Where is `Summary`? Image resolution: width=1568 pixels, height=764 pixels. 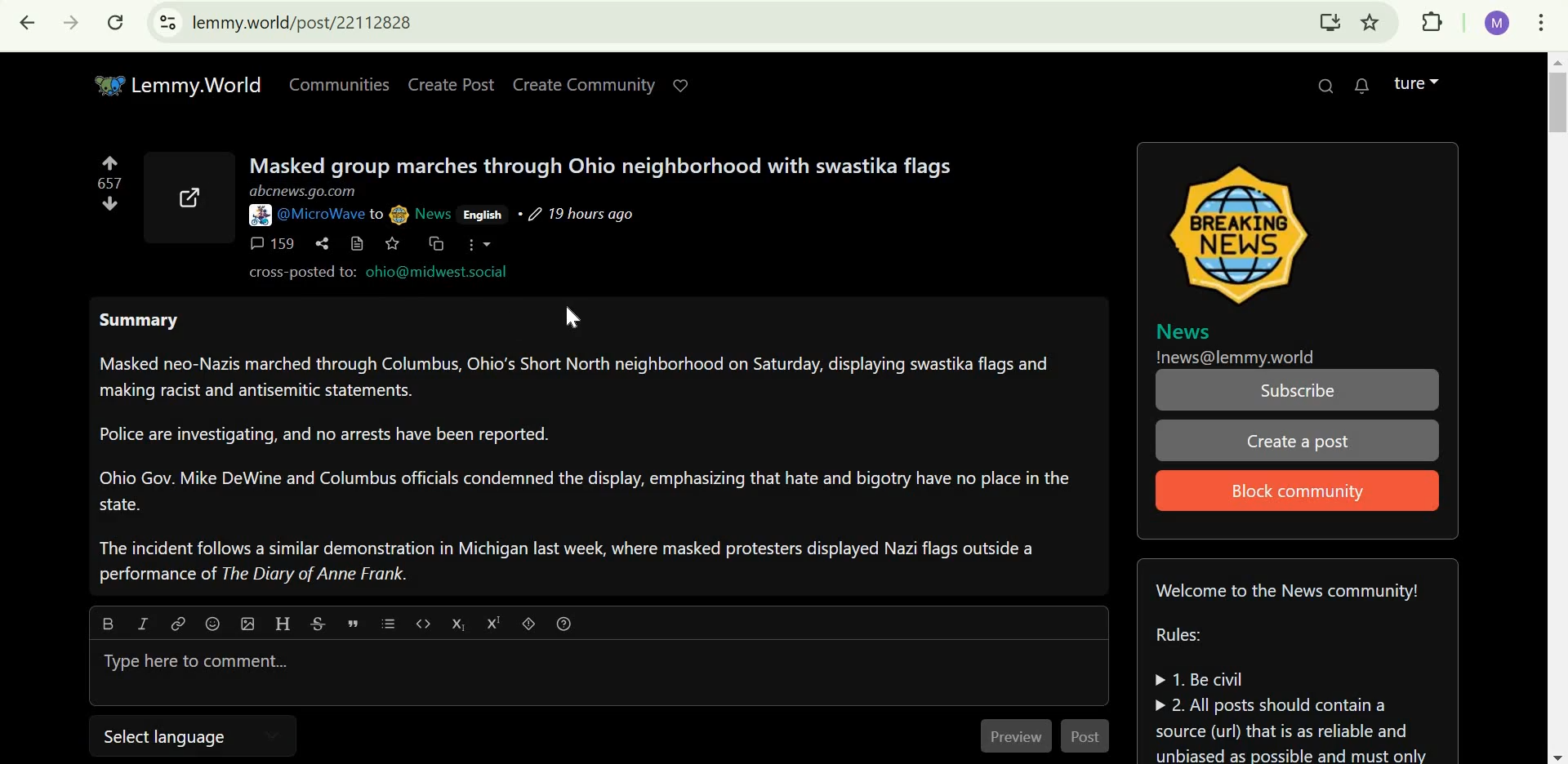
Summary is located at coordinates (589, 453).